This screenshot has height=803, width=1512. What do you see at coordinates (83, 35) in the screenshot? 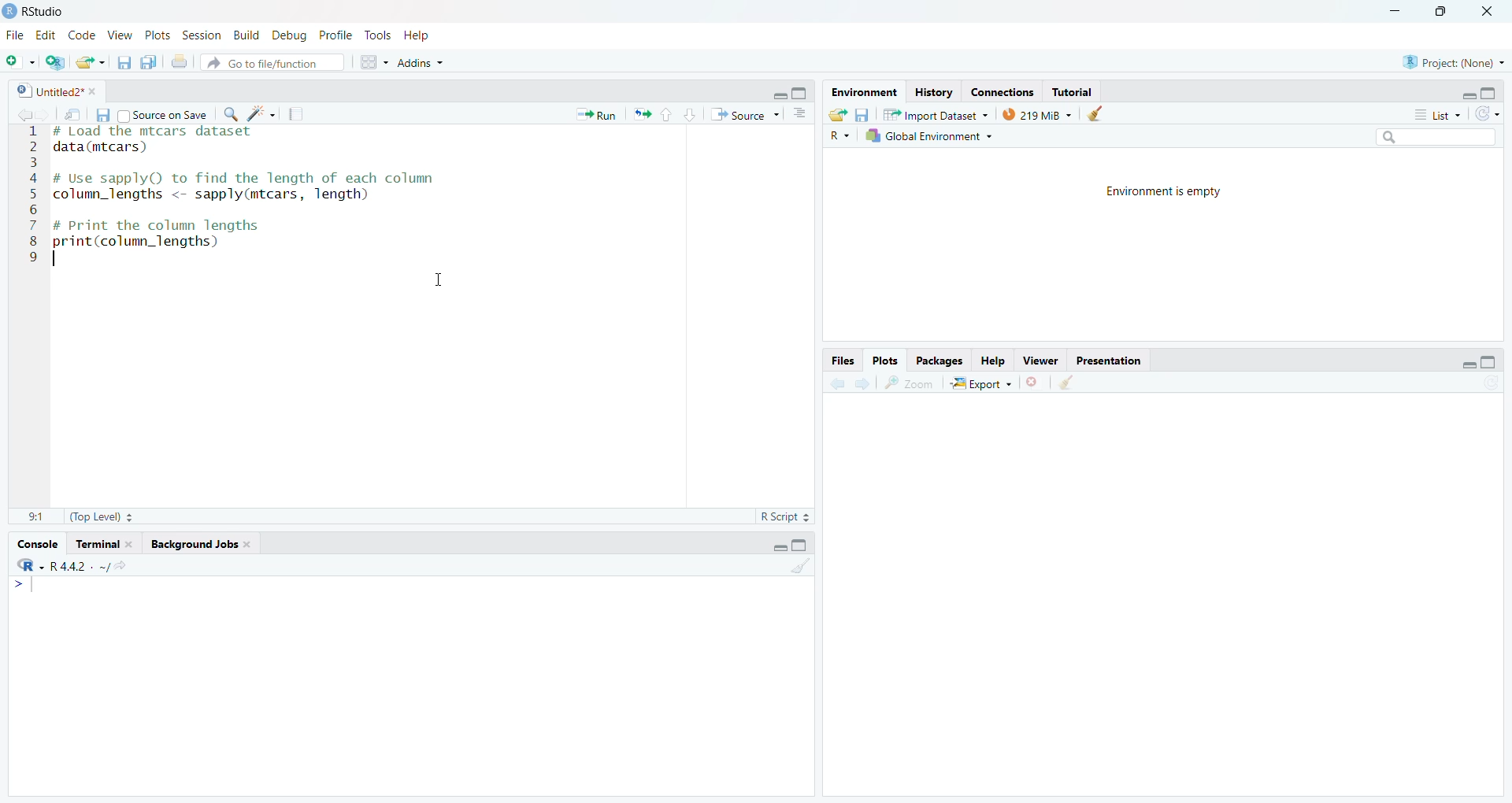
I see `Code` at bounding box center [83, 35].